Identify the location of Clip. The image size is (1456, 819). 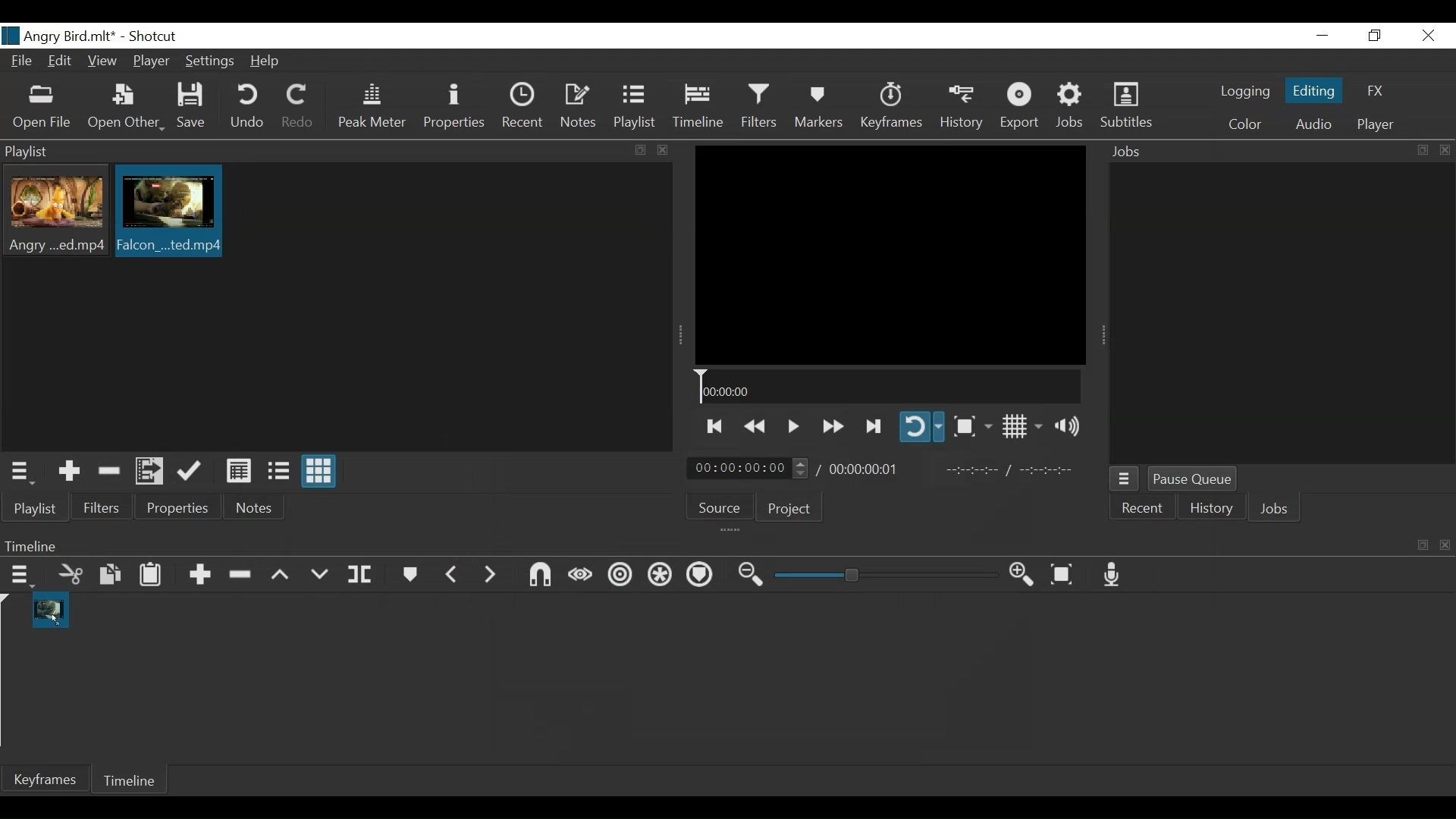
(168, 211).